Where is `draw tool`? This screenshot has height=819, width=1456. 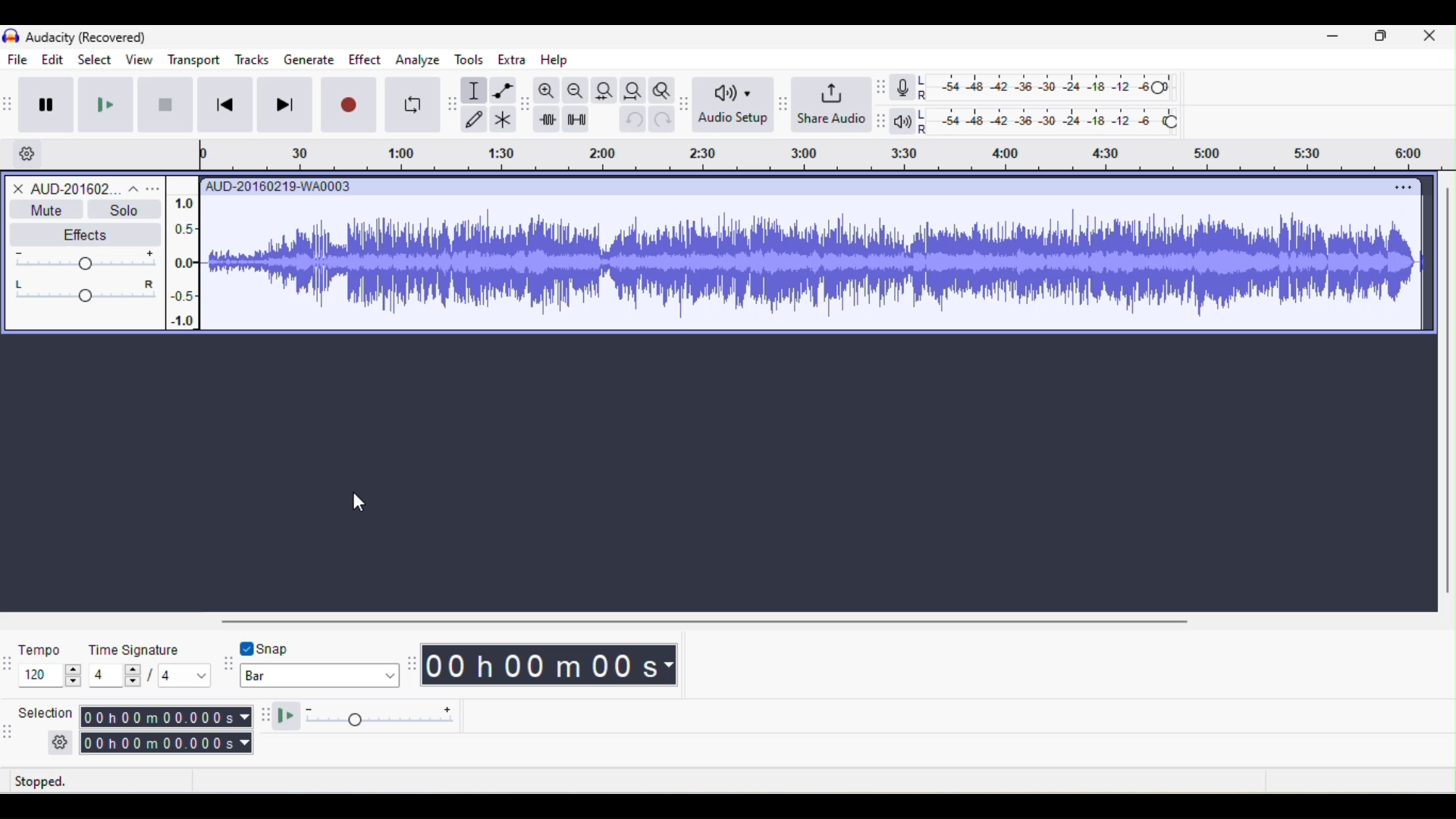 draw tool is located at coordinates (476, 118).